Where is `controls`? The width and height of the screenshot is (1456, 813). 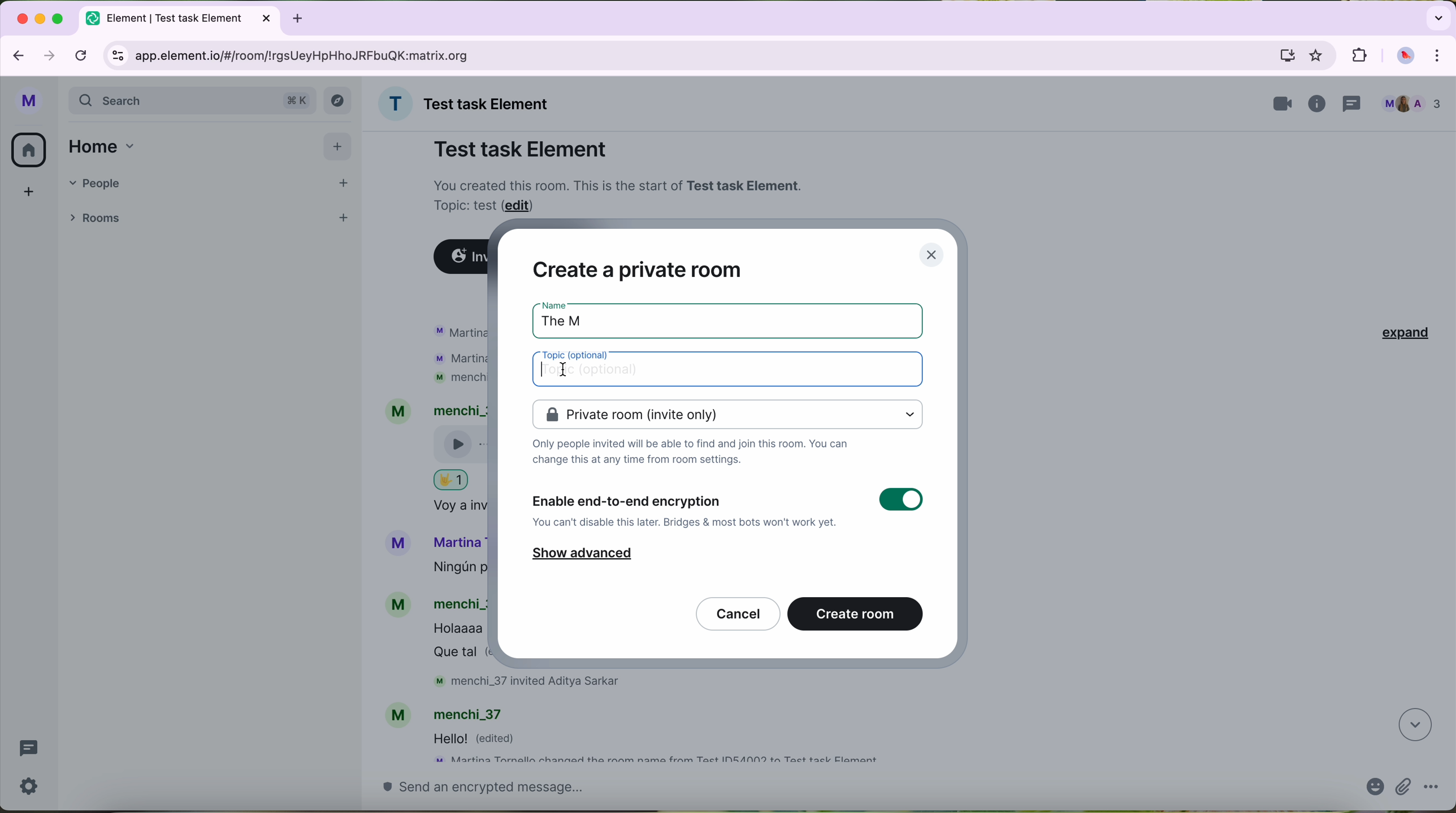
controls is located at coordinates (118, 57).